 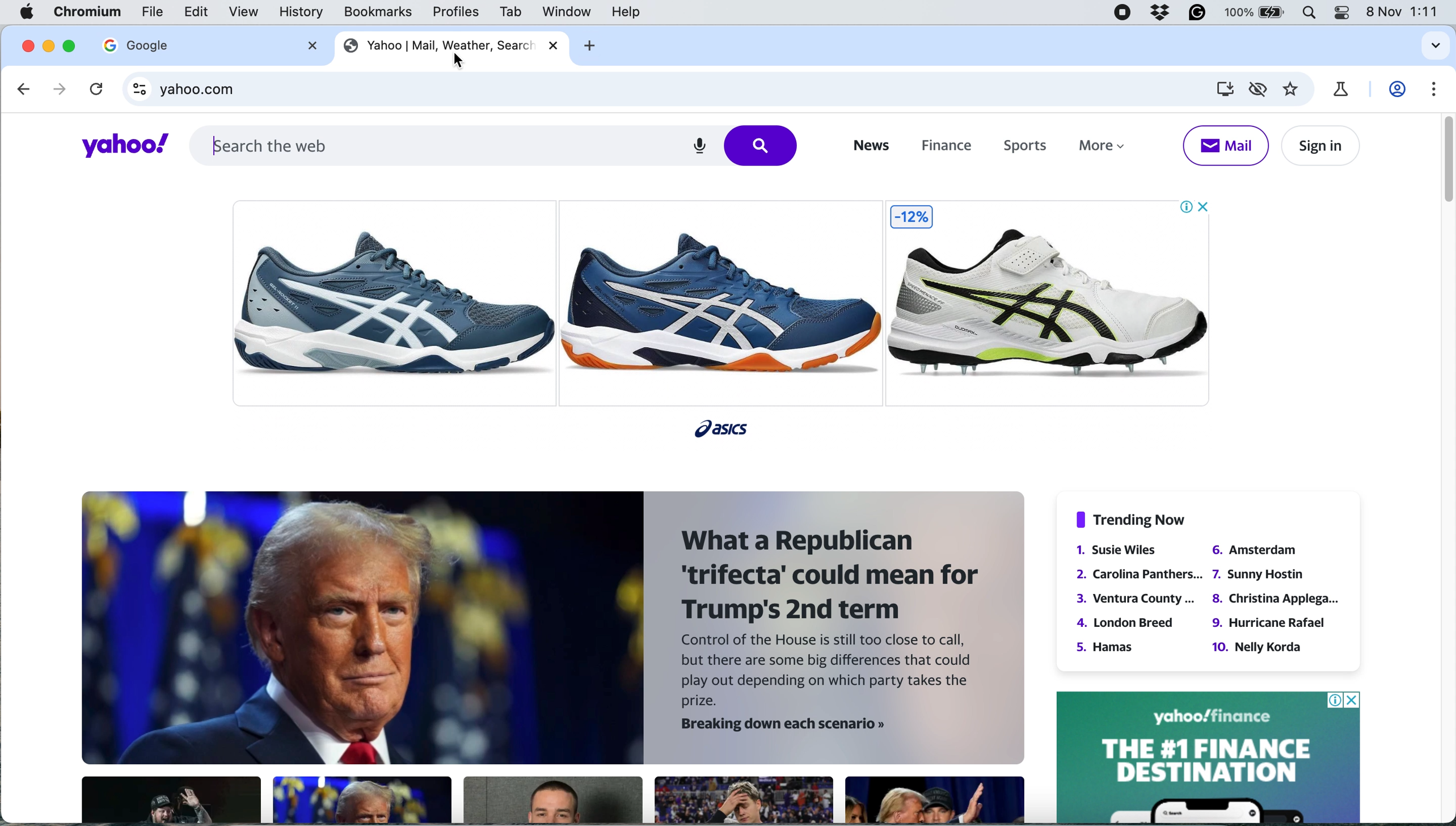 What do you see at coordinates (117, 146) in the screenshot?
I see `yahoo!` at bounding box center [117, 146].